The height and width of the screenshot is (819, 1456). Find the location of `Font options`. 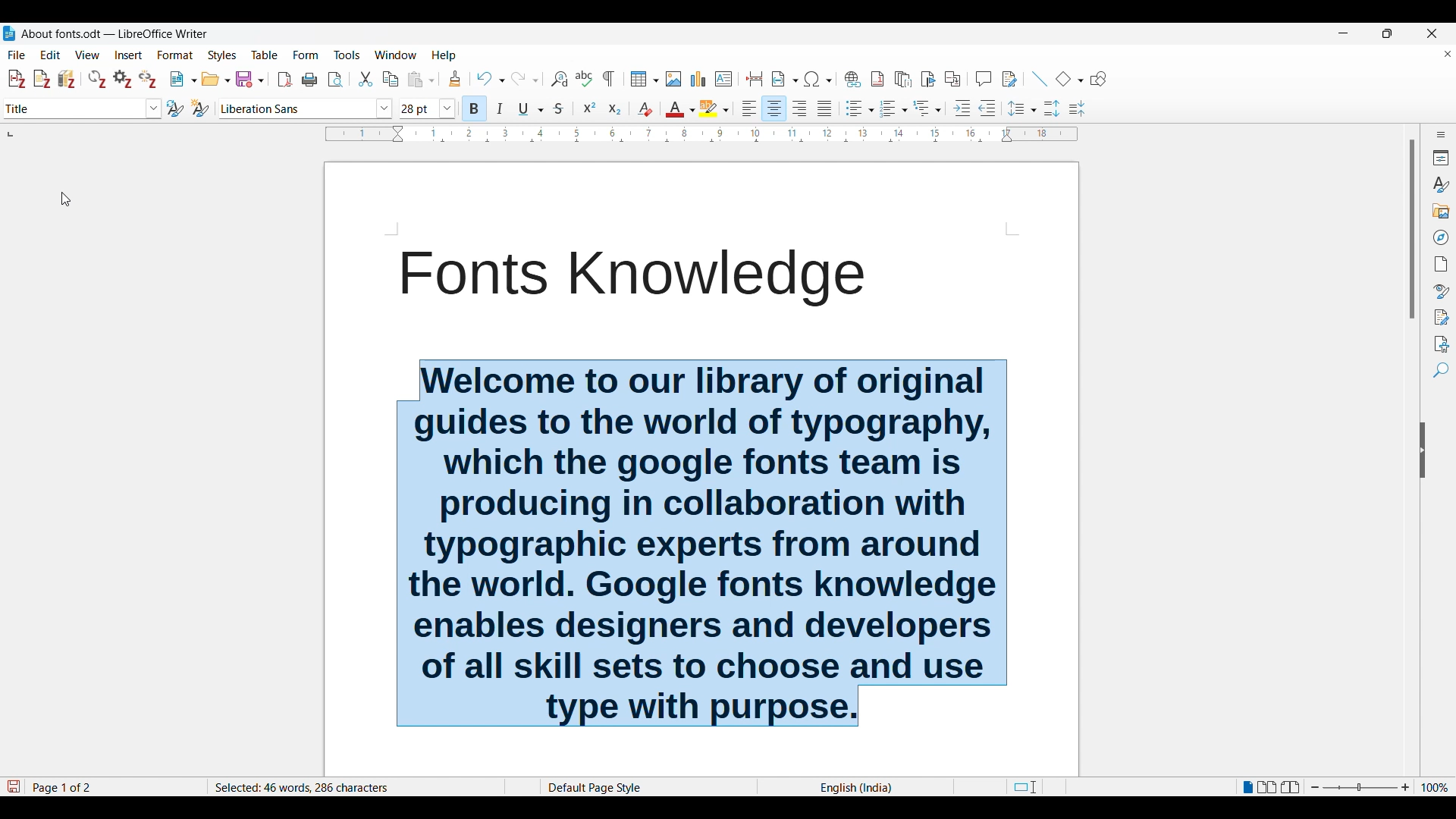

Font options is located at coordinates (306, 108).